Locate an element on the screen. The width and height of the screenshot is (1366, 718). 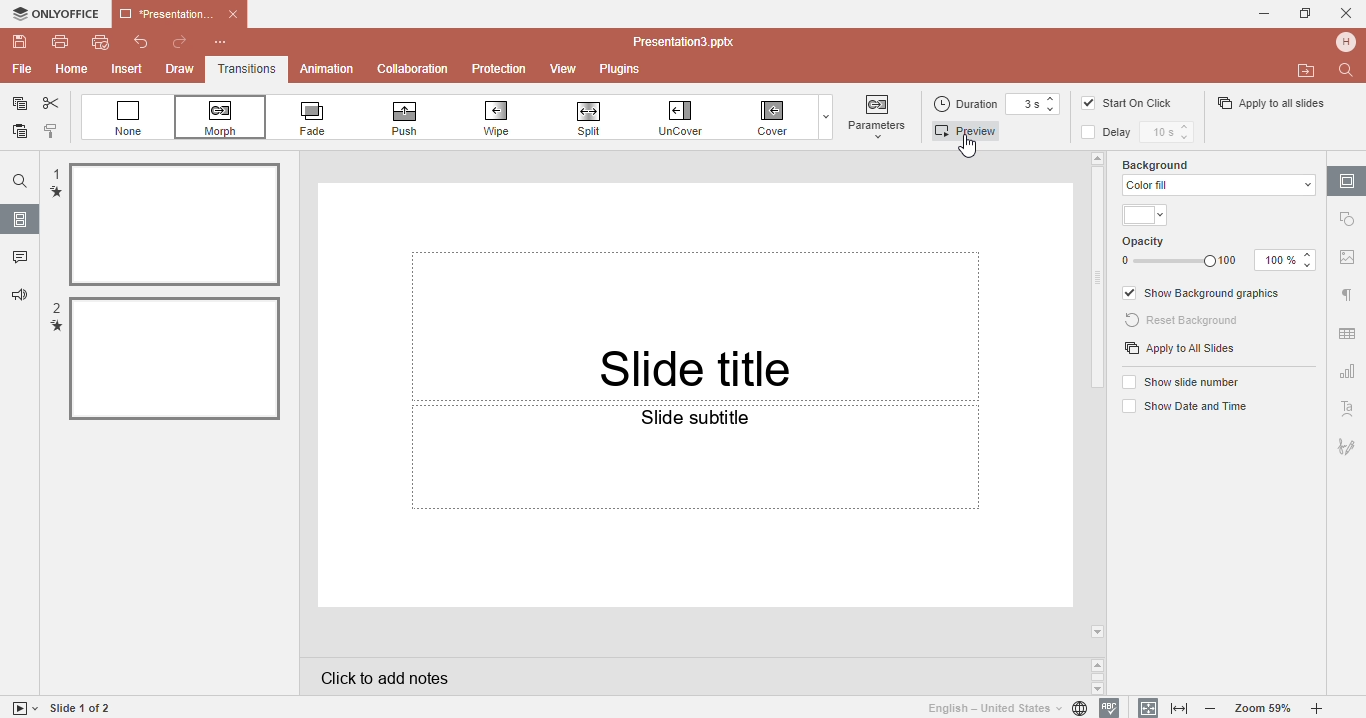
Spill is located at coordinates (597, 115).